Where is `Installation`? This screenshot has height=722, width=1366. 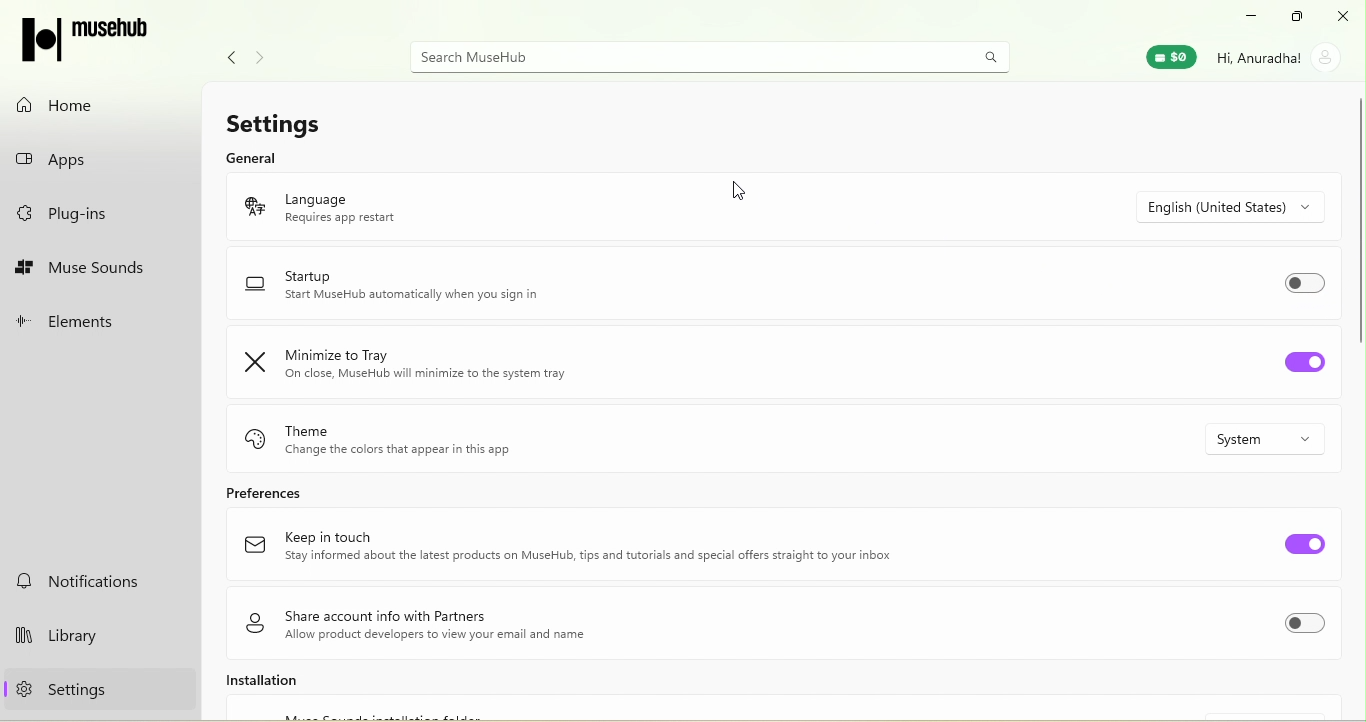
Installation is located at coordinates (303, 684).